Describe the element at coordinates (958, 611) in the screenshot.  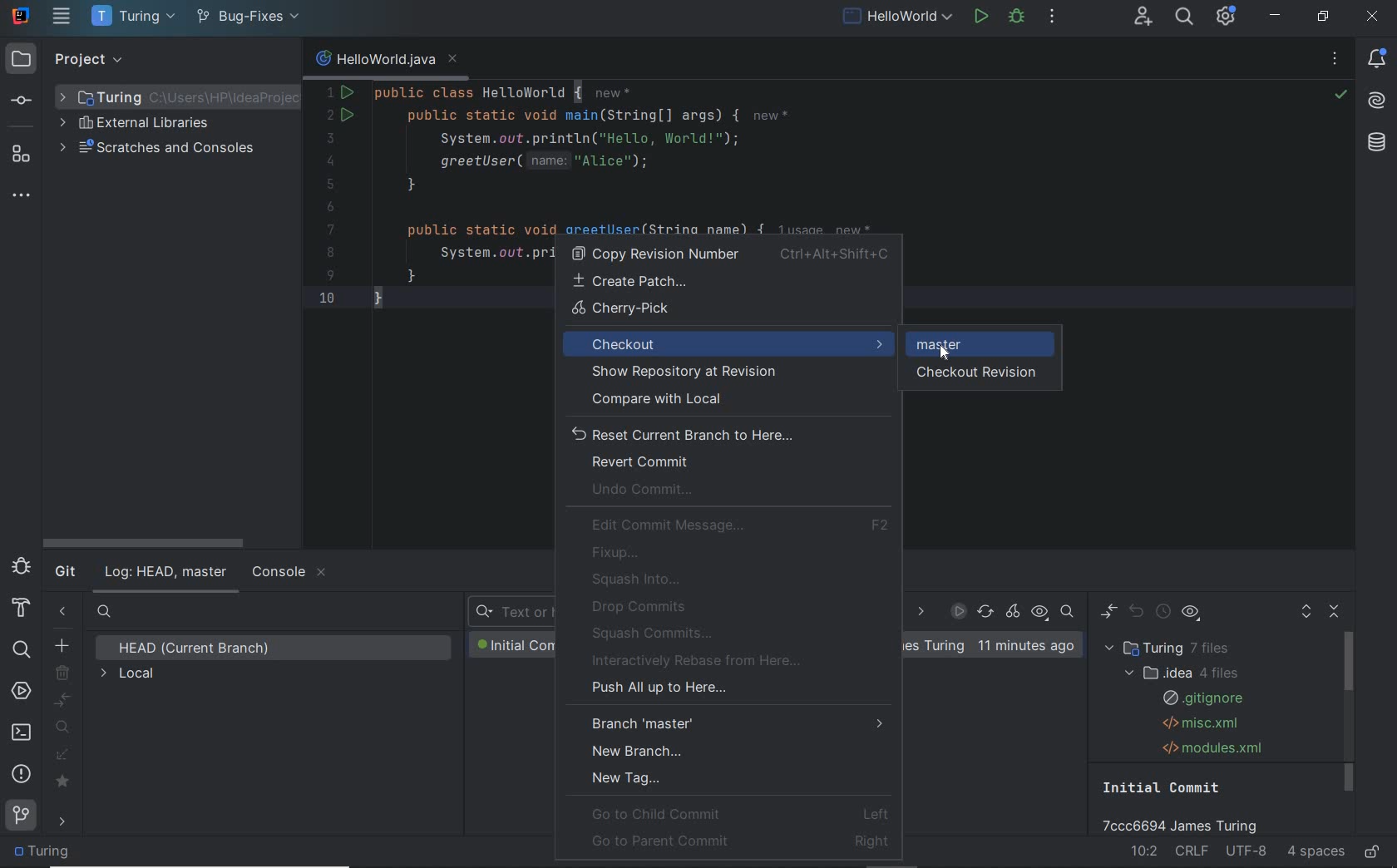
I see `ENABLE GIT LOG INDEXING` at that location.